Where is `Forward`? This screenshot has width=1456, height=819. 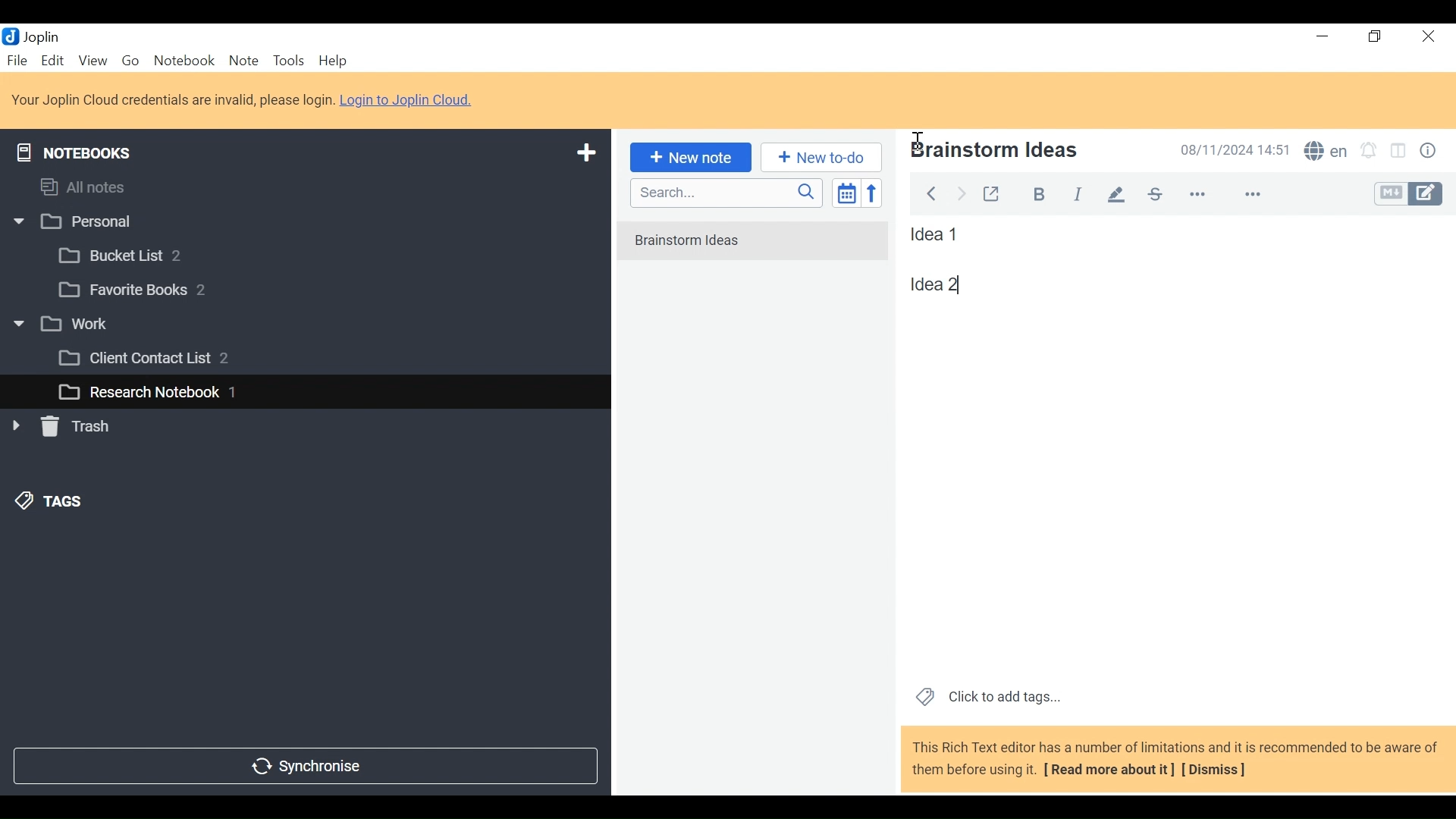 Forward is located at coordinates (962, 192).